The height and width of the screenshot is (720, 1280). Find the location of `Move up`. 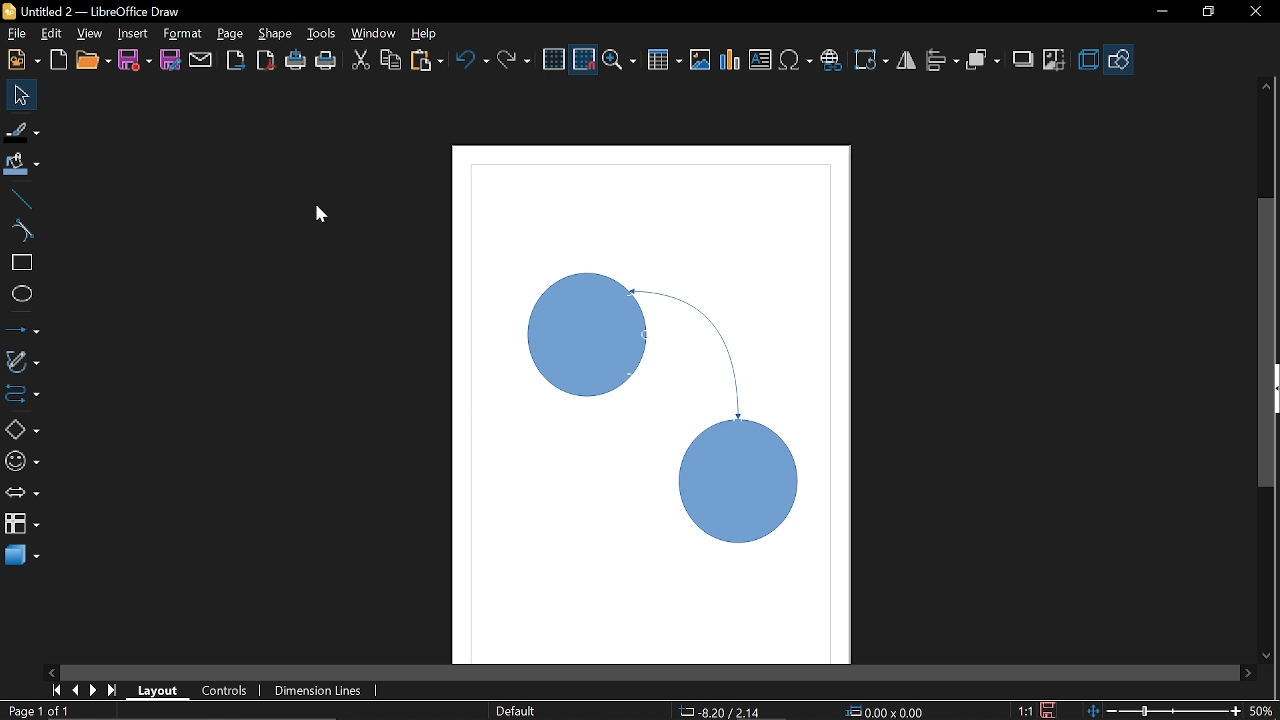

Move up is located at coordinates (1267, 86).